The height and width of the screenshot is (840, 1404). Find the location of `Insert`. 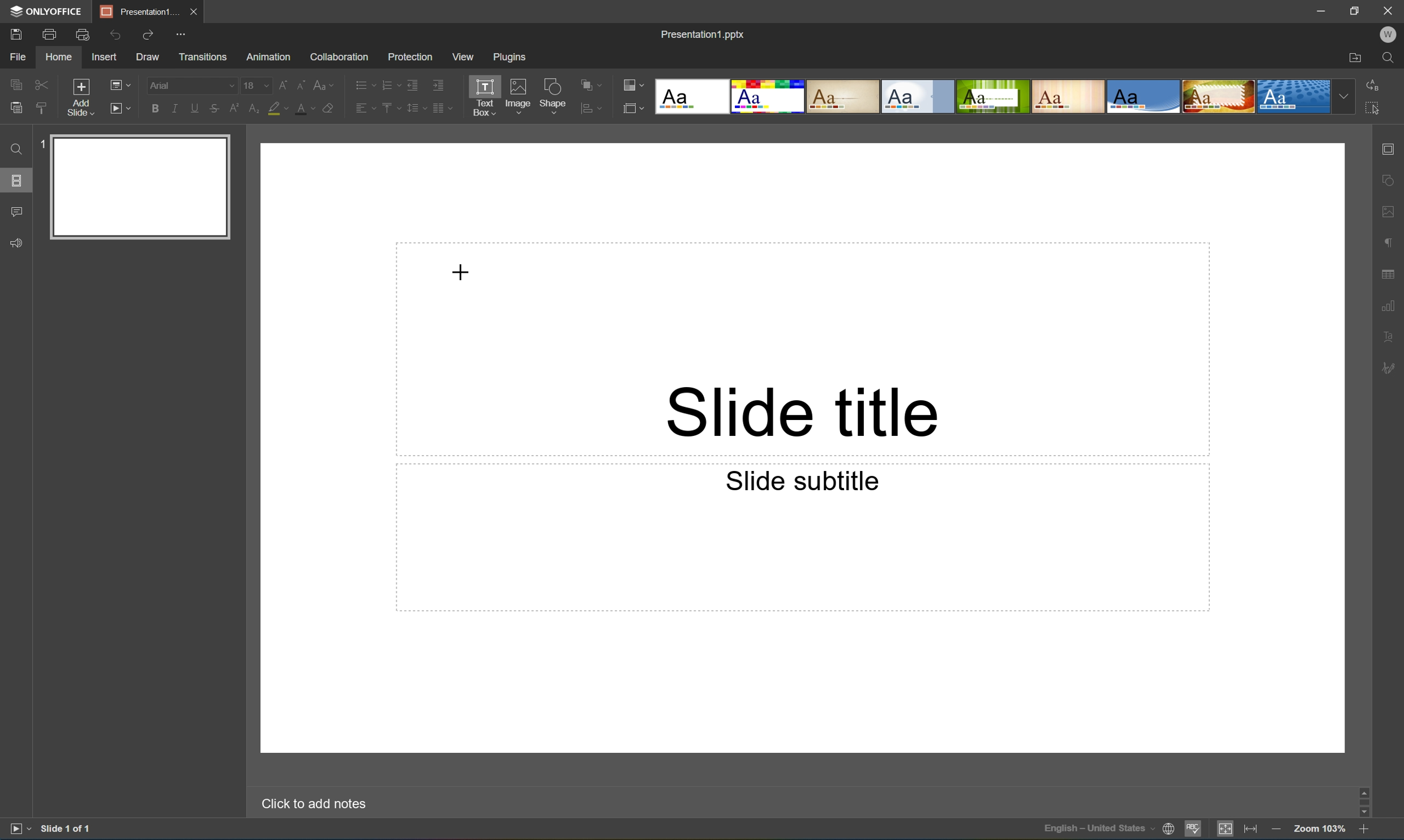

Insert is located at coordinates (104, 57).